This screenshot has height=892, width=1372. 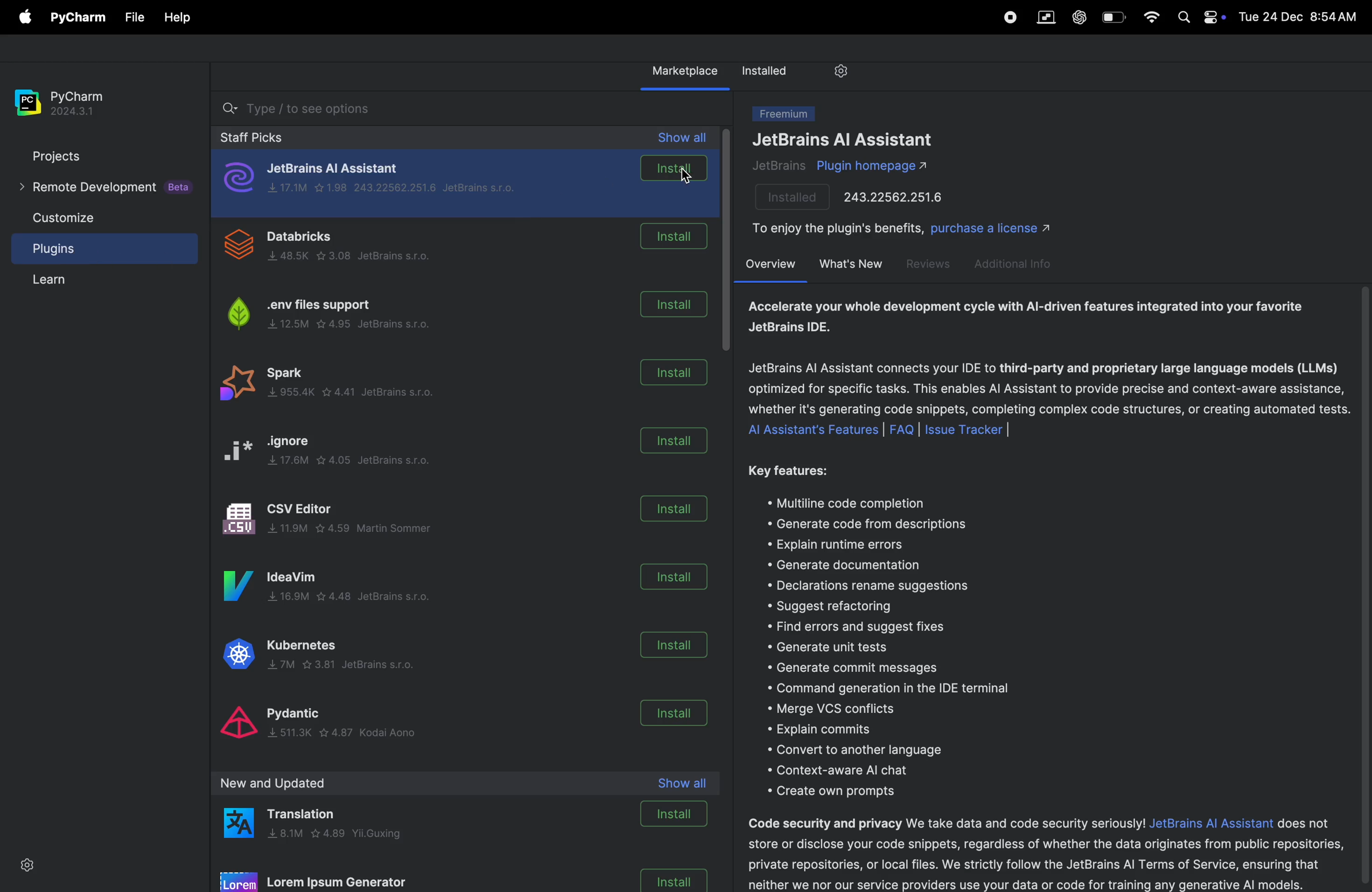 I want to click on install, so click(x=675, y=879).